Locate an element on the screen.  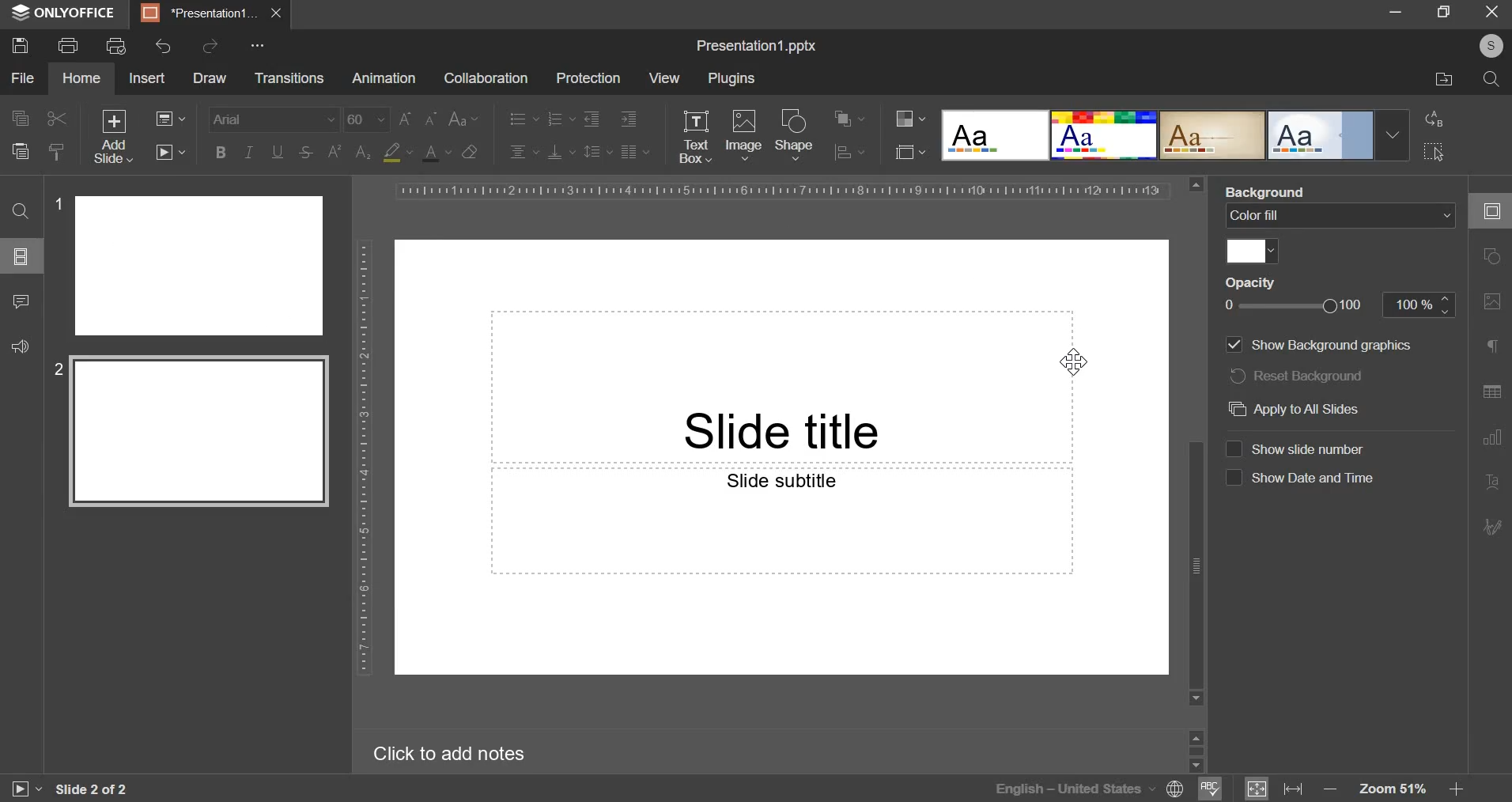
decrease indent is located at coordinates (591, 119).